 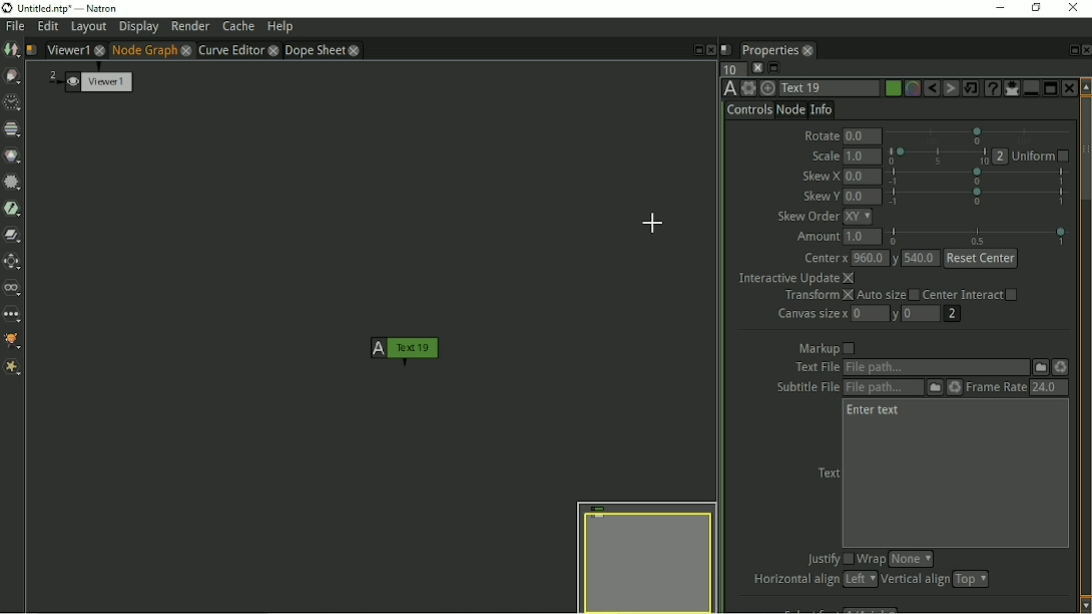 I want to click on Centers the node graph on this item, so click(x=769, y=88).